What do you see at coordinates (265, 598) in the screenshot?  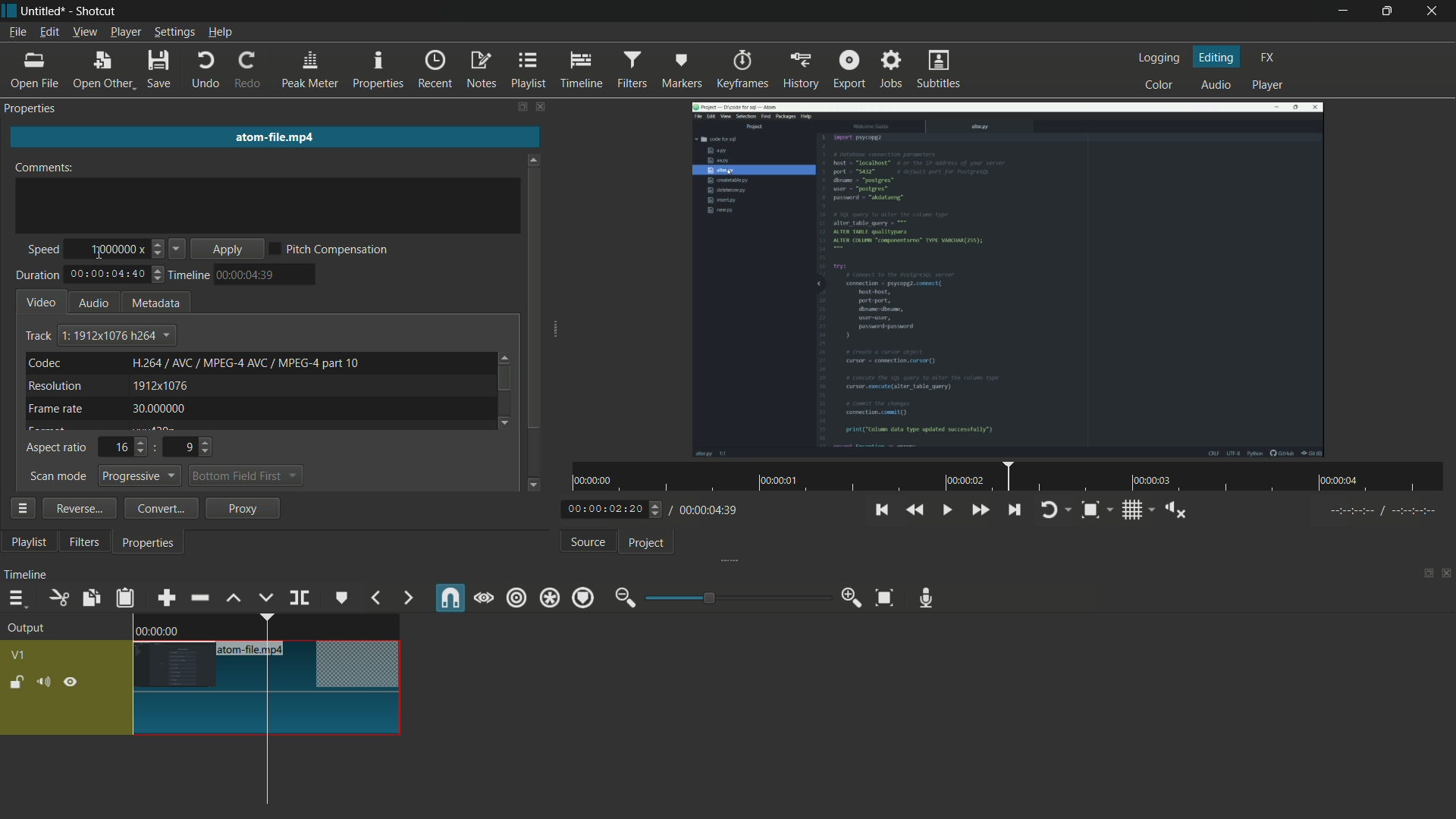 I see `overwrite` at bounding box center [265, 598].